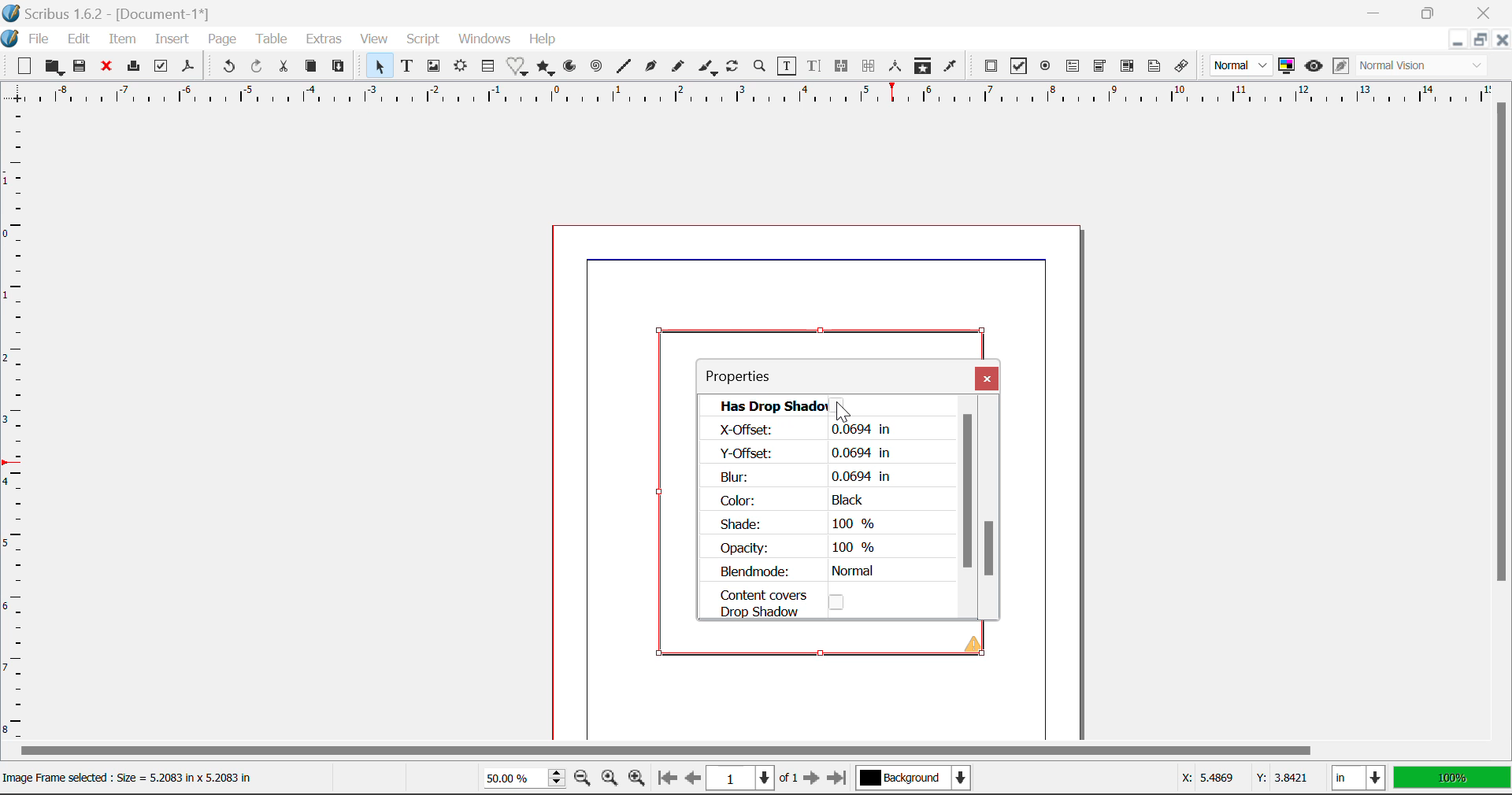 The height and width of the screenshot is (795, 1512). Describe the element at coordinates (381, 68) in the screenshot. I see `Select` at that location.